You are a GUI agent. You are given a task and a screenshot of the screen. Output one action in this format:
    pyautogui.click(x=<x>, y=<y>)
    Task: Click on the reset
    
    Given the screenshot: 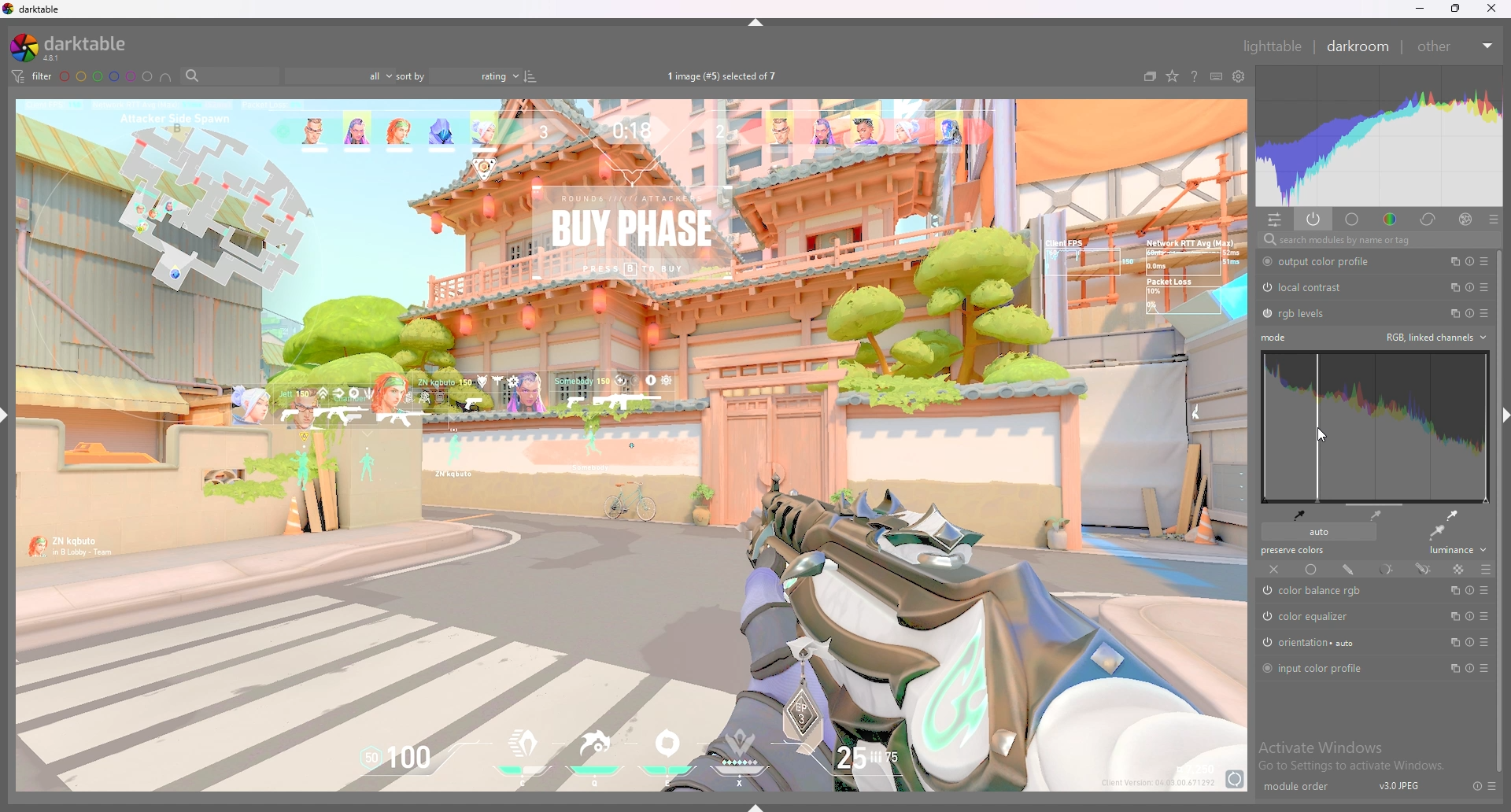 What is the action you would take?
    pyautogui.click(x=1469, y=642)
    